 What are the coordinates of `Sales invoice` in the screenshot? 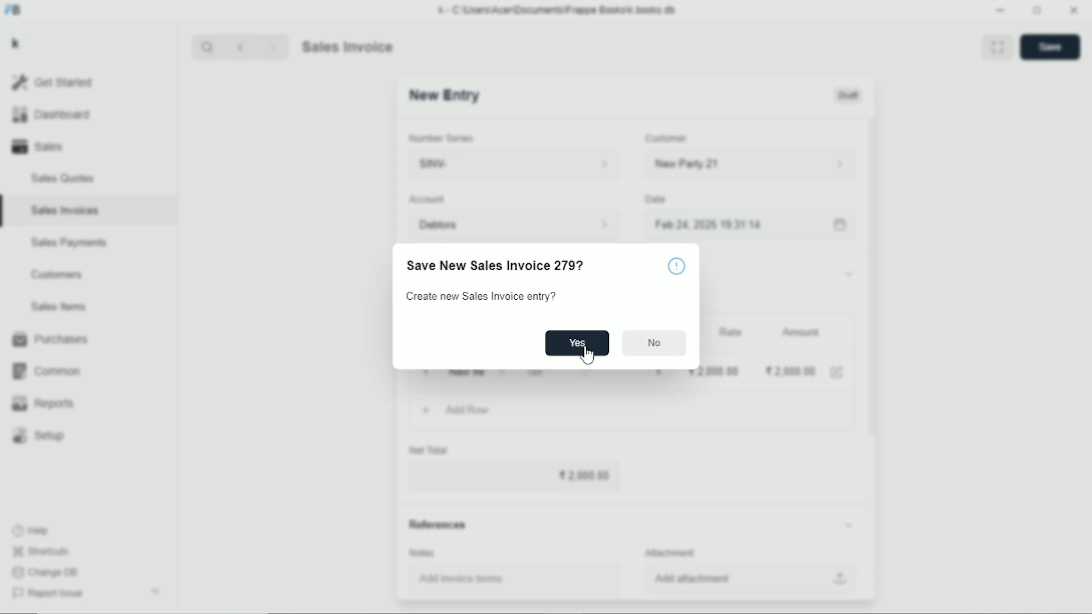 It's located at (347, 46).